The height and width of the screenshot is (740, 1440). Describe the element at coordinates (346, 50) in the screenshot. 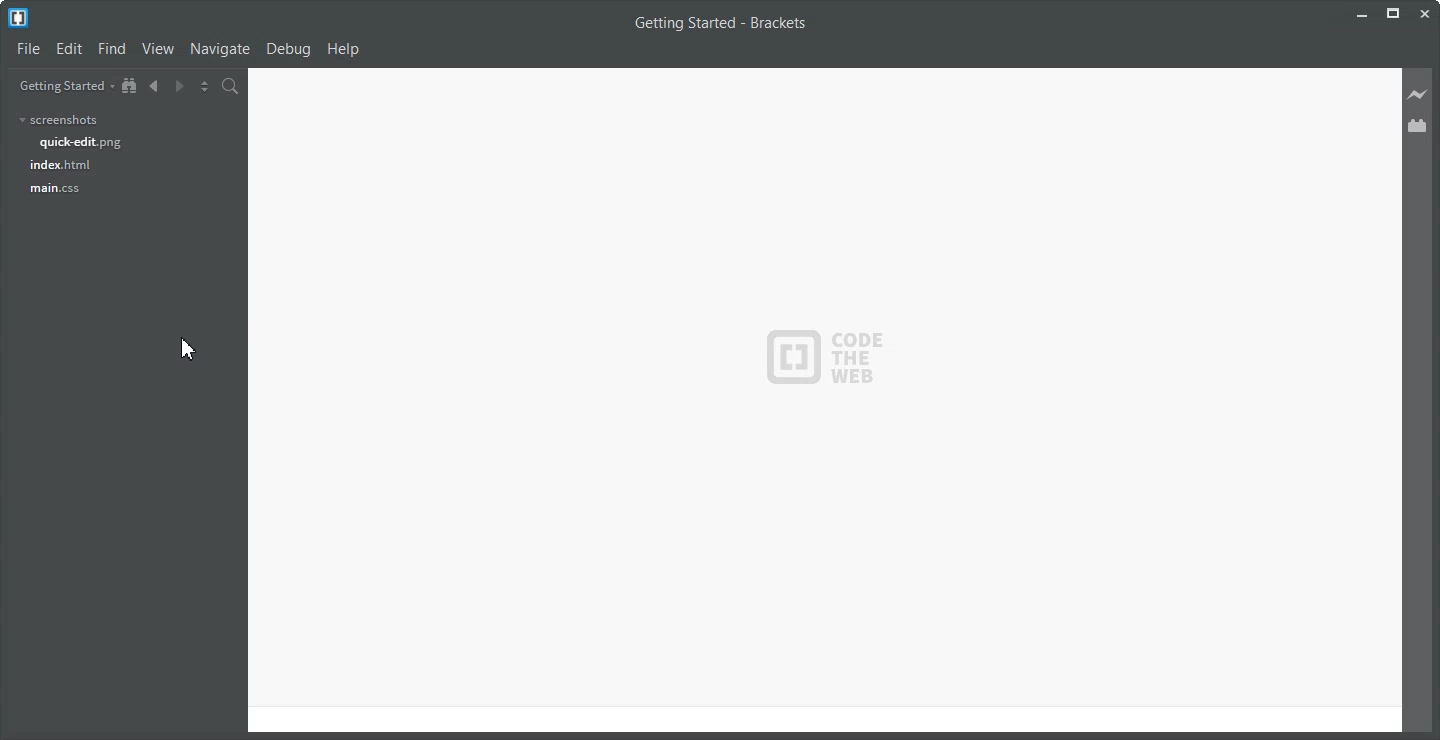

I see `Help` at that location.